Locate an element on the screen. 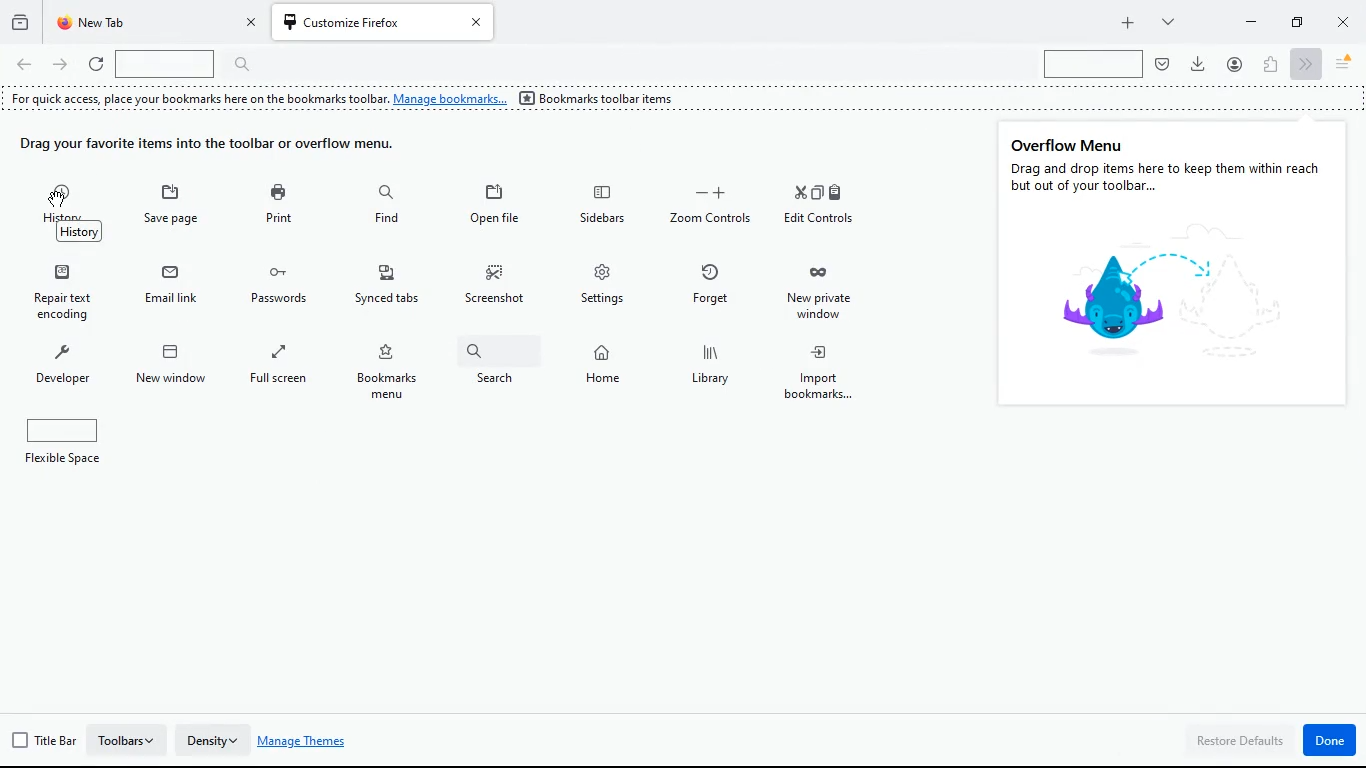 The height and width of the screenshot is (768, 1366). bookmarks toolbar itens is located at coordinates (602, 100).